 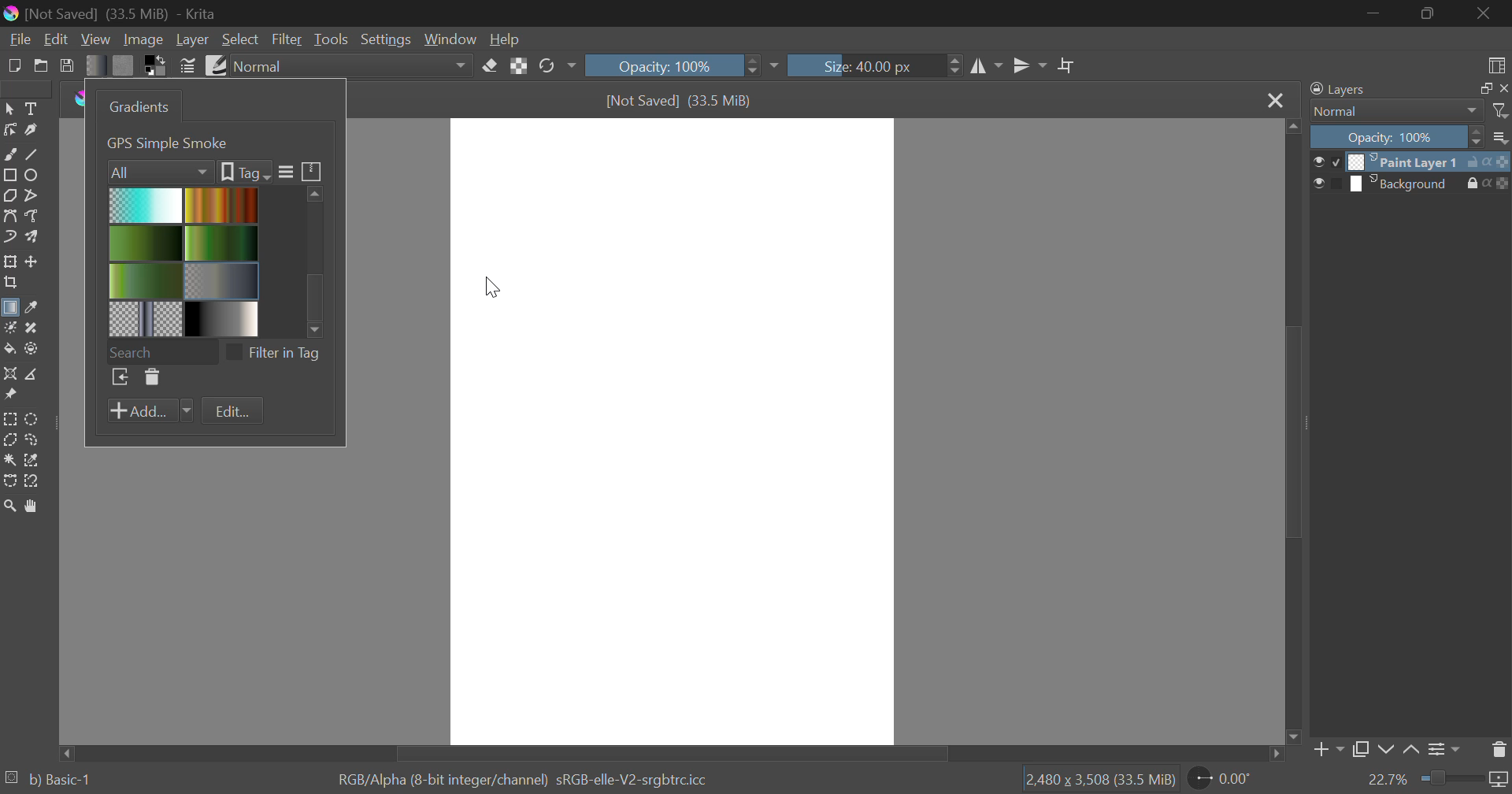 I want to click on Choose Workspace, so click(x=1494, y=62).